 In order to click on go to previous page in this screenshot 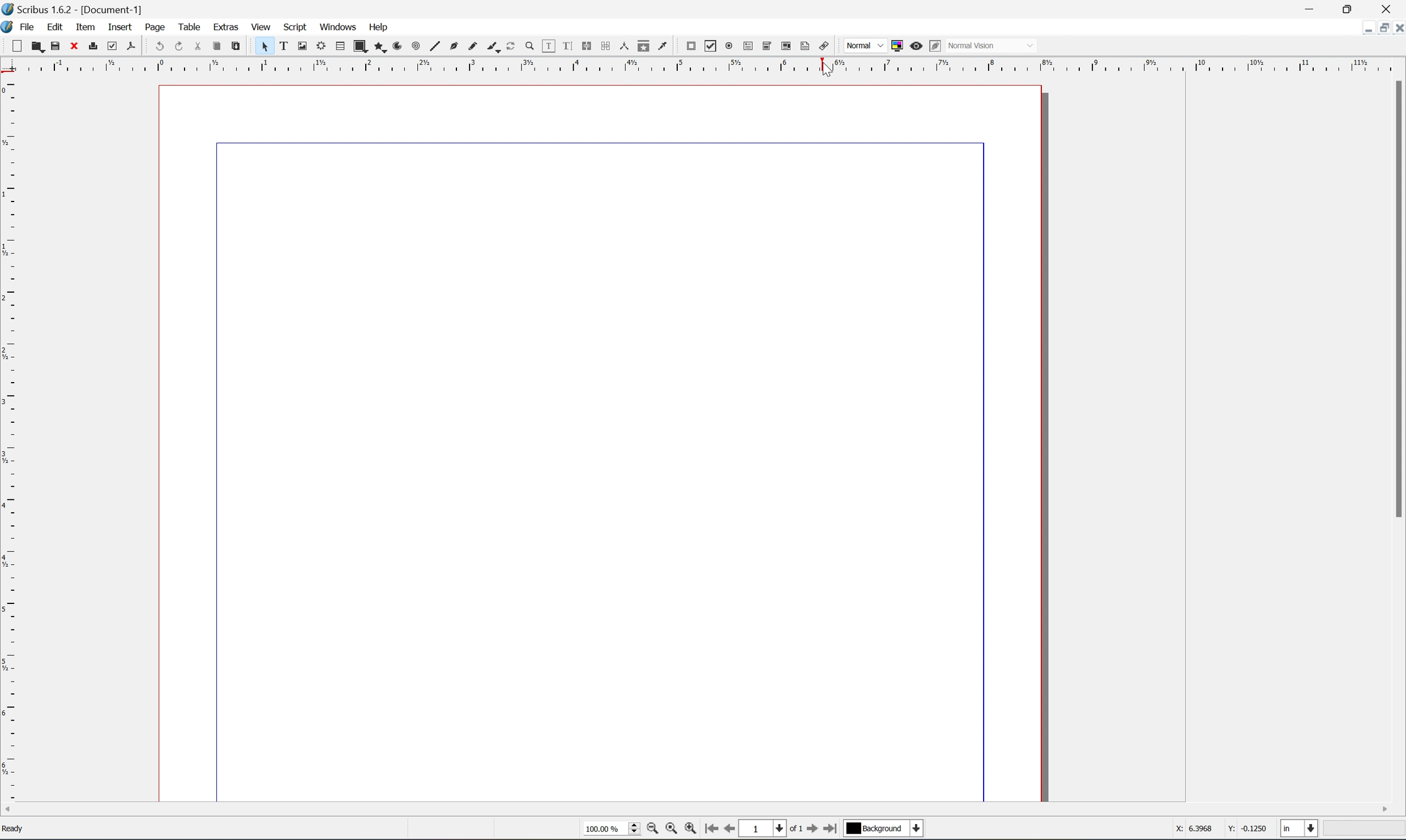, I will do `click(727, 830)`.